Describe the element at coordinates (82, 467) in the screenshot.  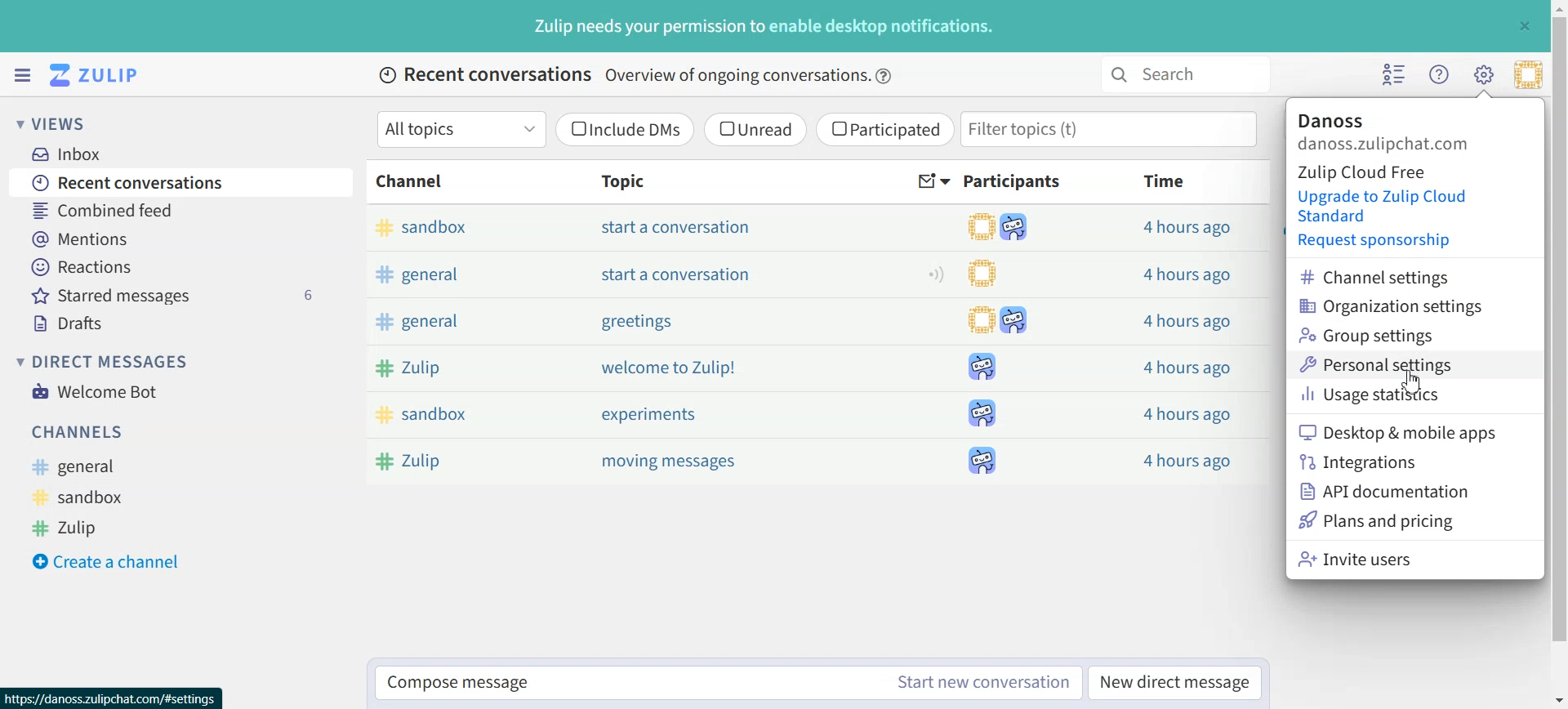
I see `#general` at that location.